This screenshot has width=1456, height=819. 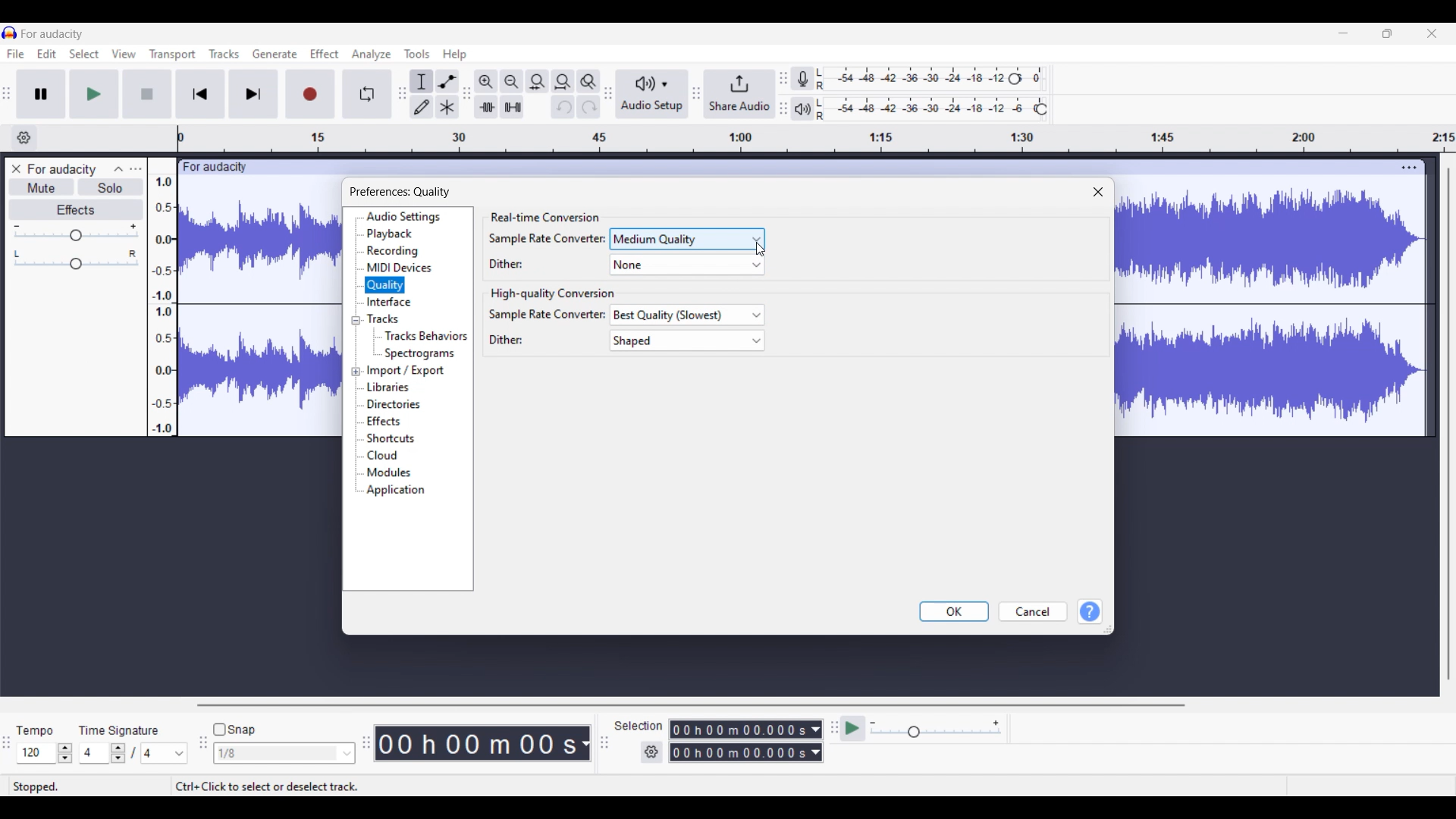 What do you see at coordinates (356, 346) in the screenshot?
I see `Collapse/Expand` at bounding box center [356, 346].